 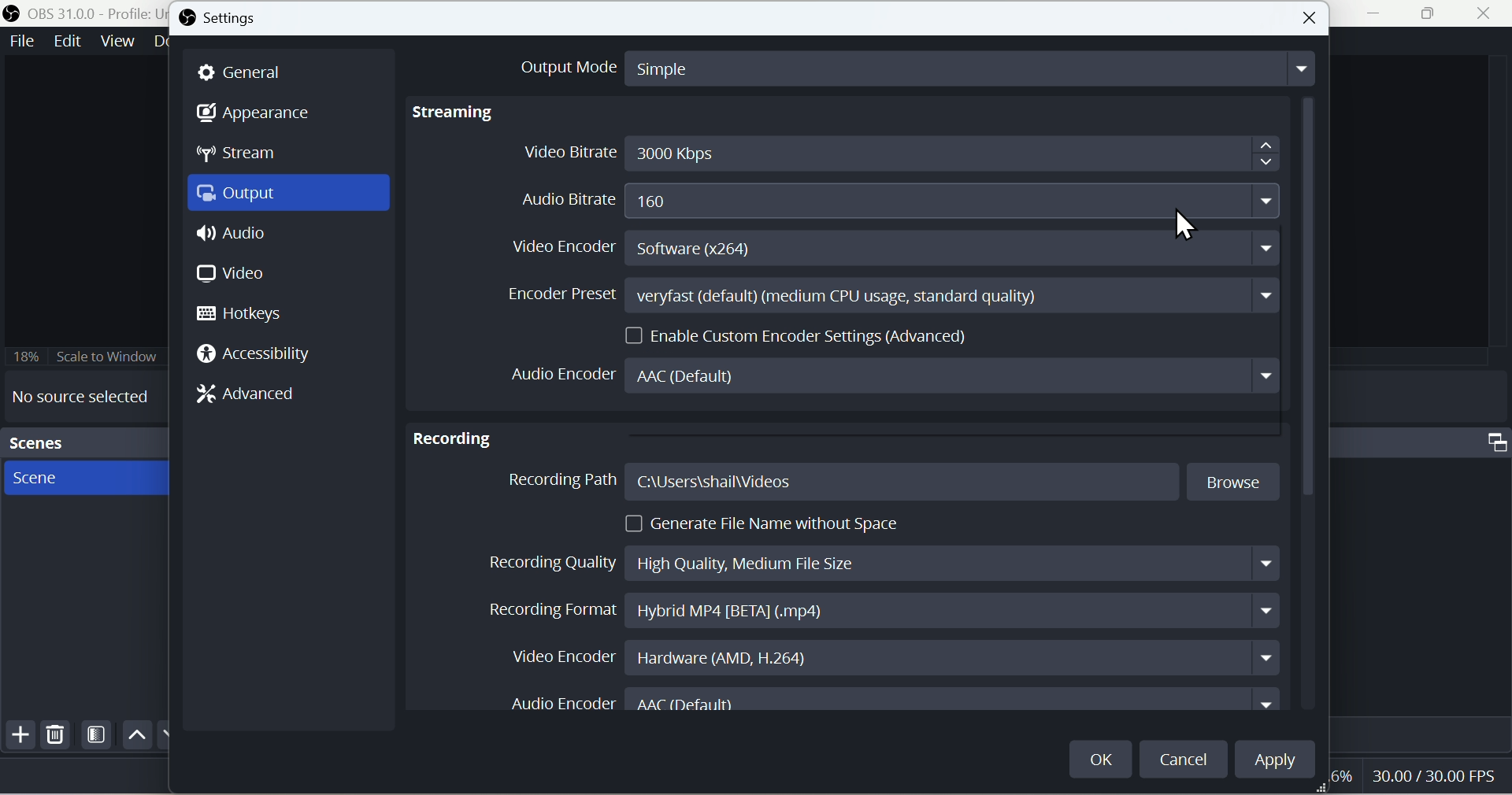 I want to click on Advanced, so click(x=258, y=397).